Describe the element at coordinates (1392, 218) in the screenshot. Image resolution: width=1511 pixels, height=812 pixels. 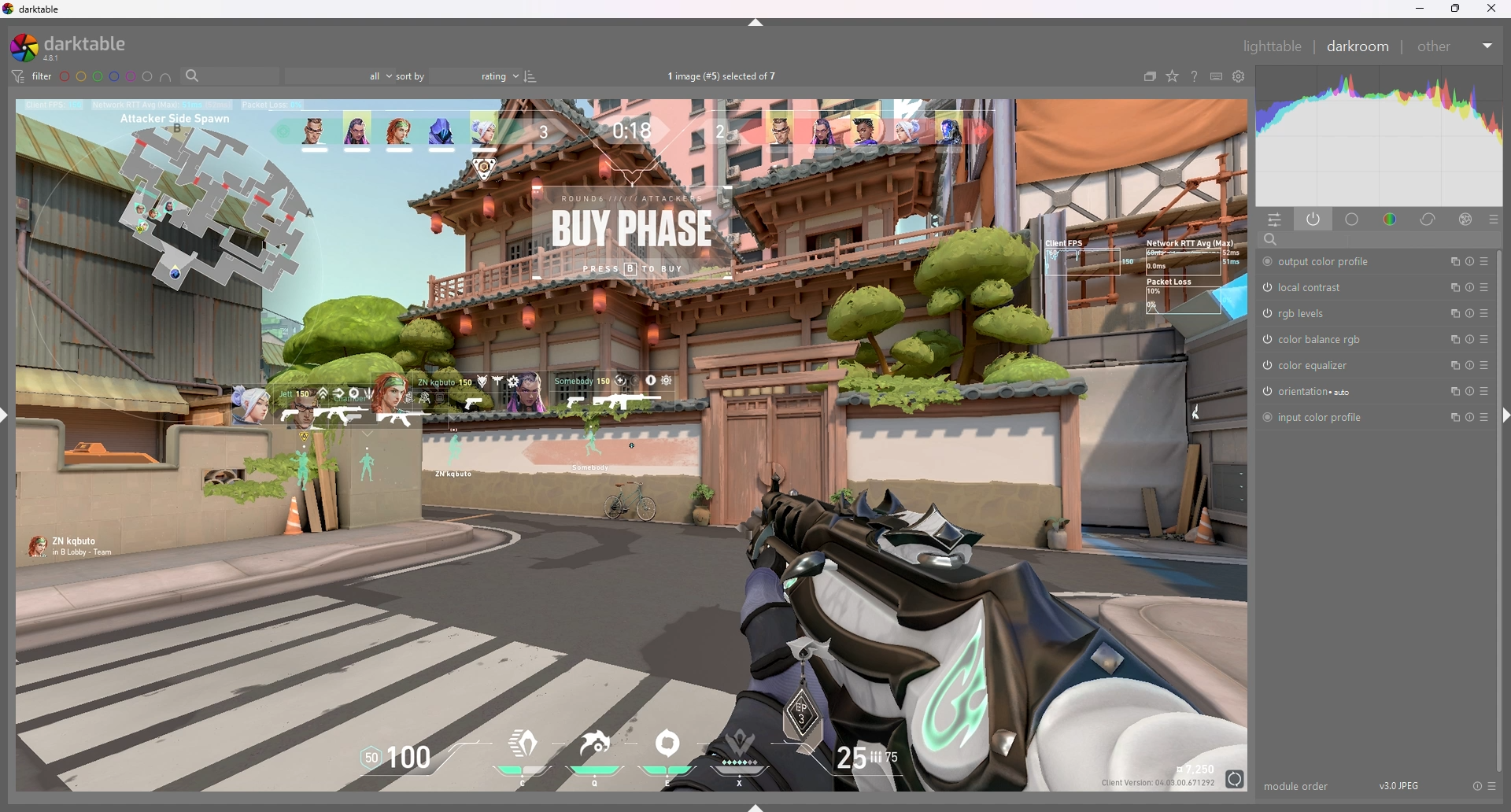
I see `color` at that location.